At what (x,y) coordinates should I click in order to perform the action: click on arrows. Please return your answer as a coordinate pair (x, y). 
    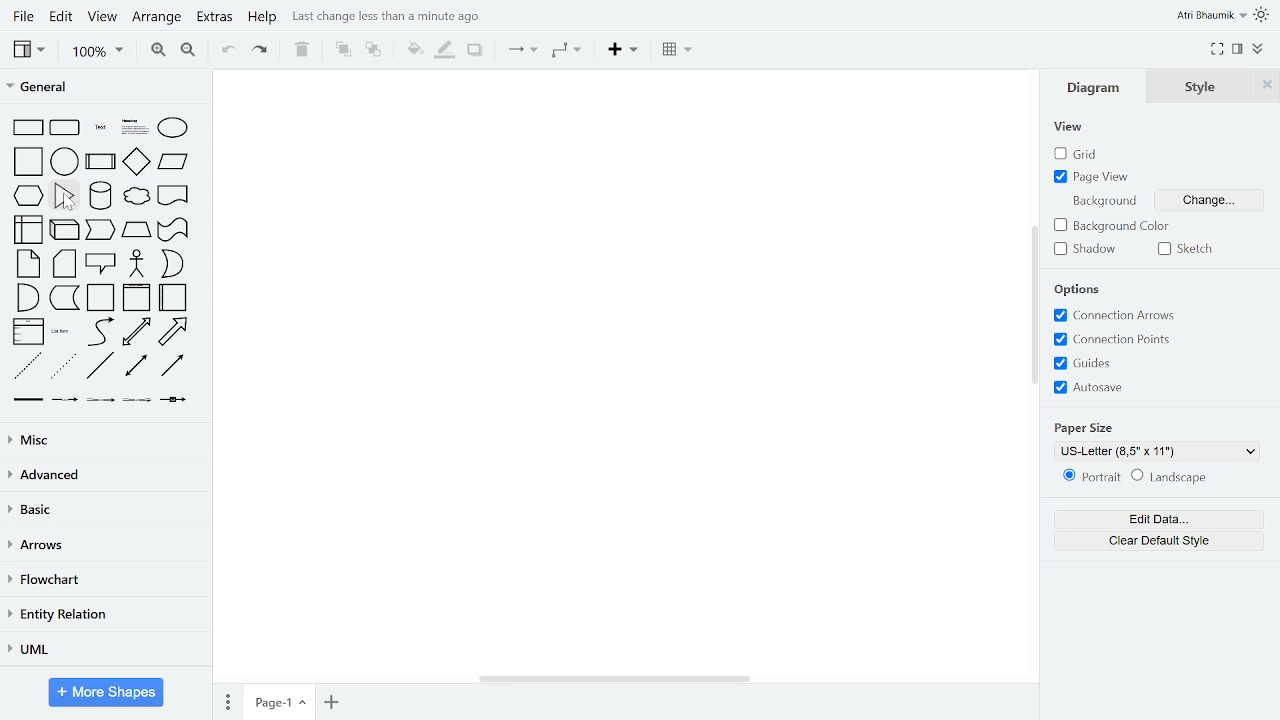
    Looking at the image, I should click on (103, 546).